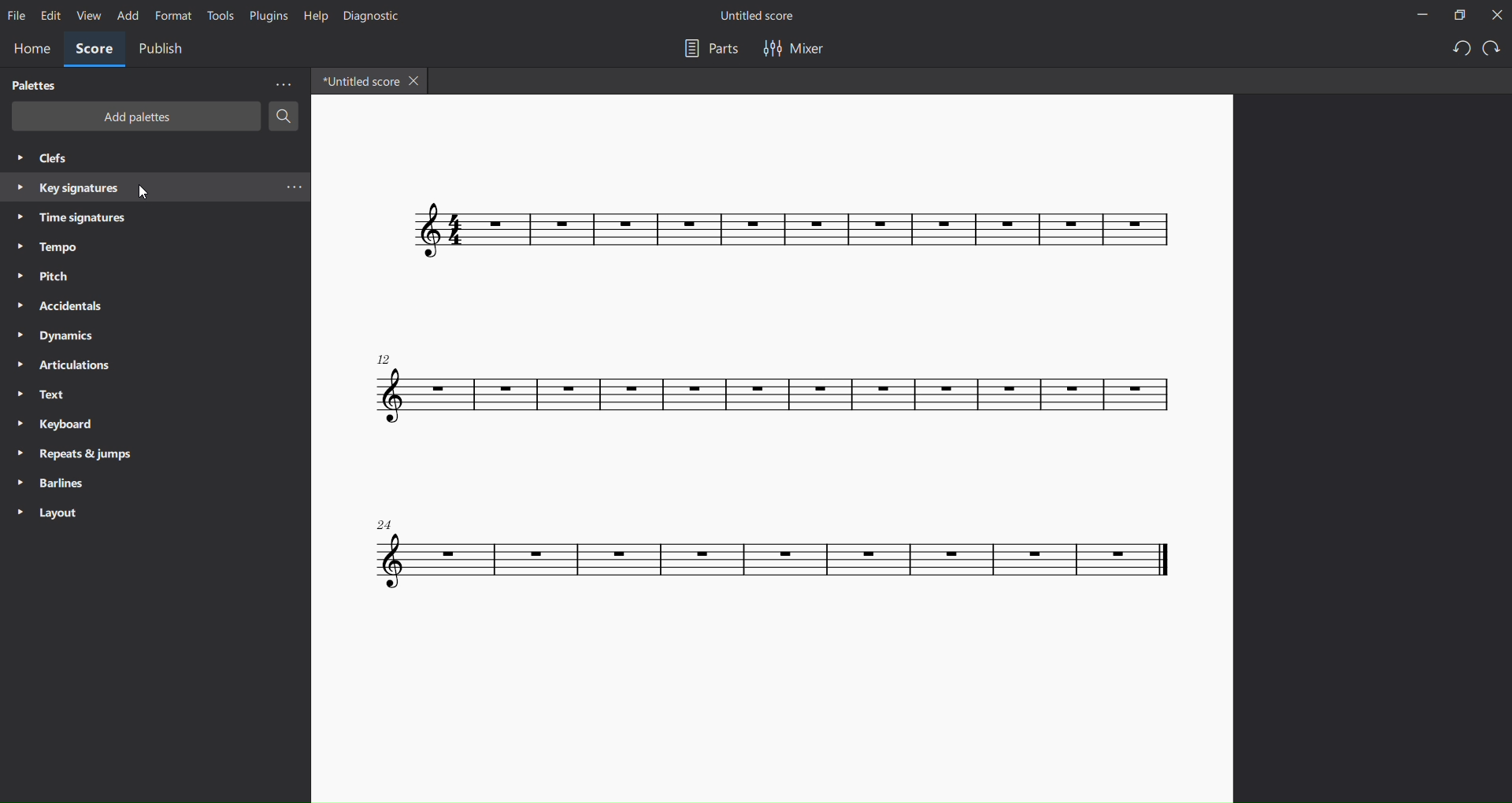 This screenshot has height=803, width=1512. Describe the element at coordinates (64, 335) in the screenshot. I see `dynamics` at that location.